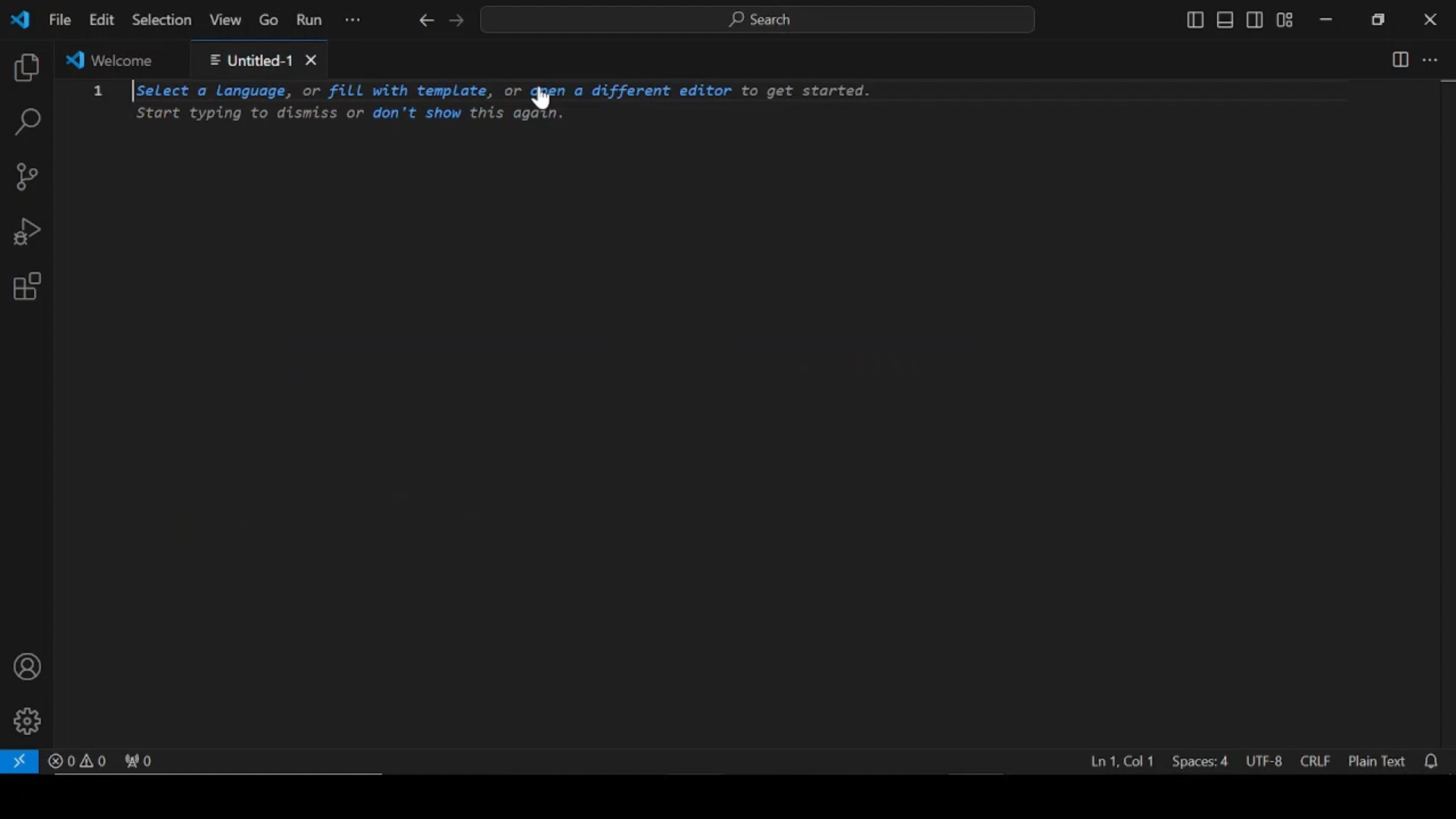 Image resolution: width=1456 pixels, height=819 pixels. What do you see at coordinates (1376, 763) in the screenshot?
I see `plain text` at bounding box center [1376, 763].